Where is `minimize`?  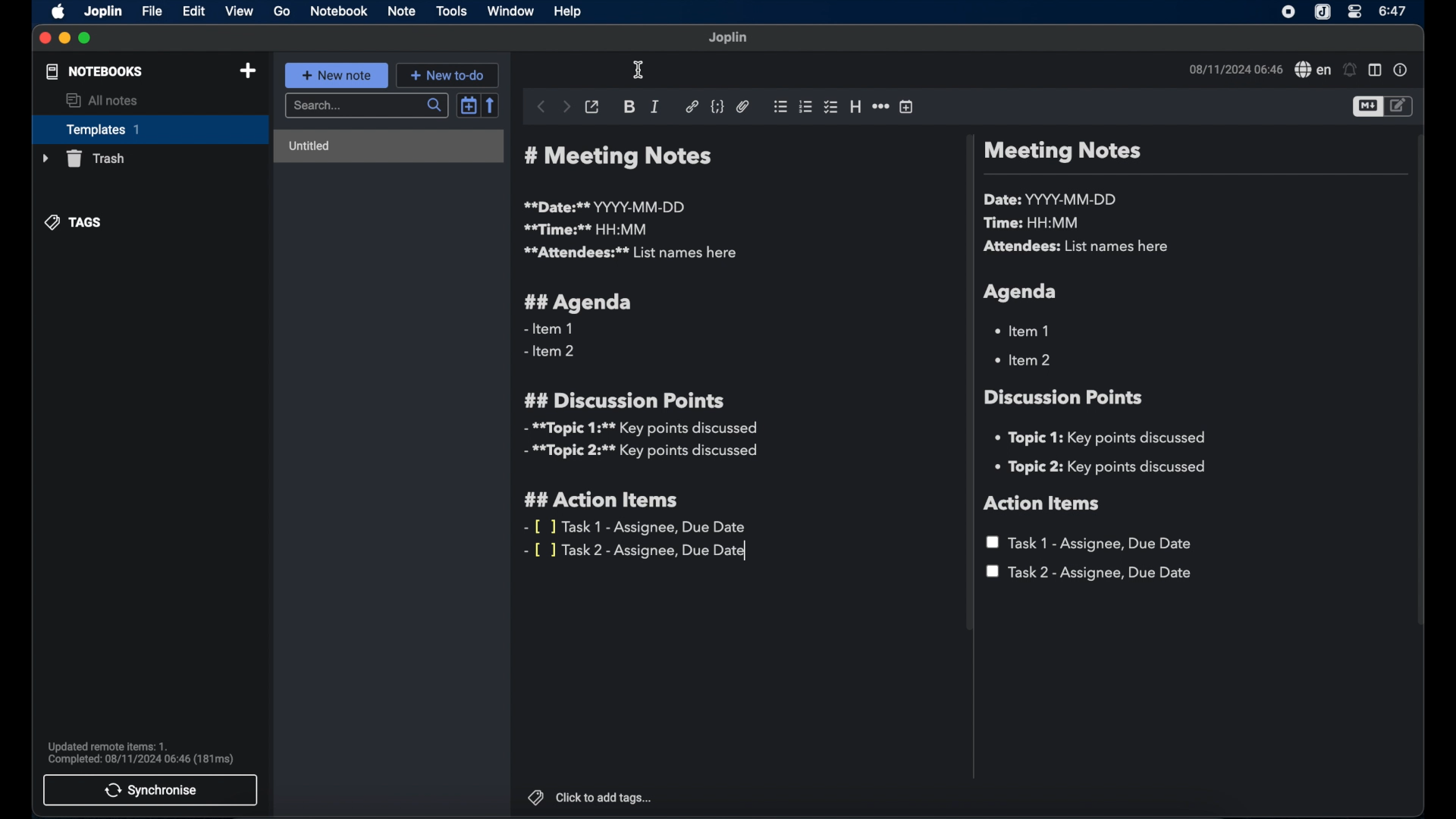
minimize is located at coordinates (64, 38).